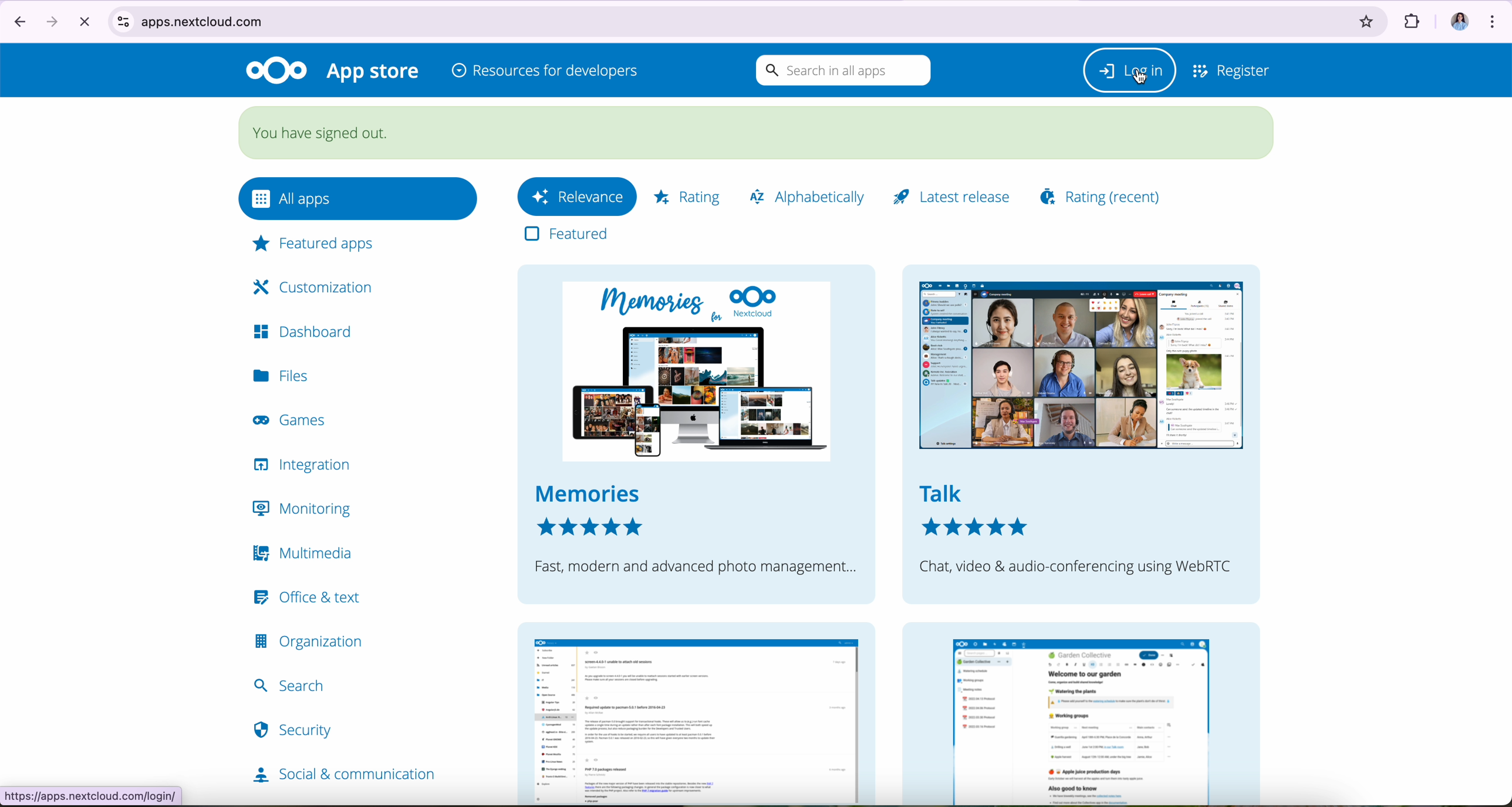  What do you see at coordinates (296, 730) in the screenshot?
I see `security` at bounding box center [296, 730].